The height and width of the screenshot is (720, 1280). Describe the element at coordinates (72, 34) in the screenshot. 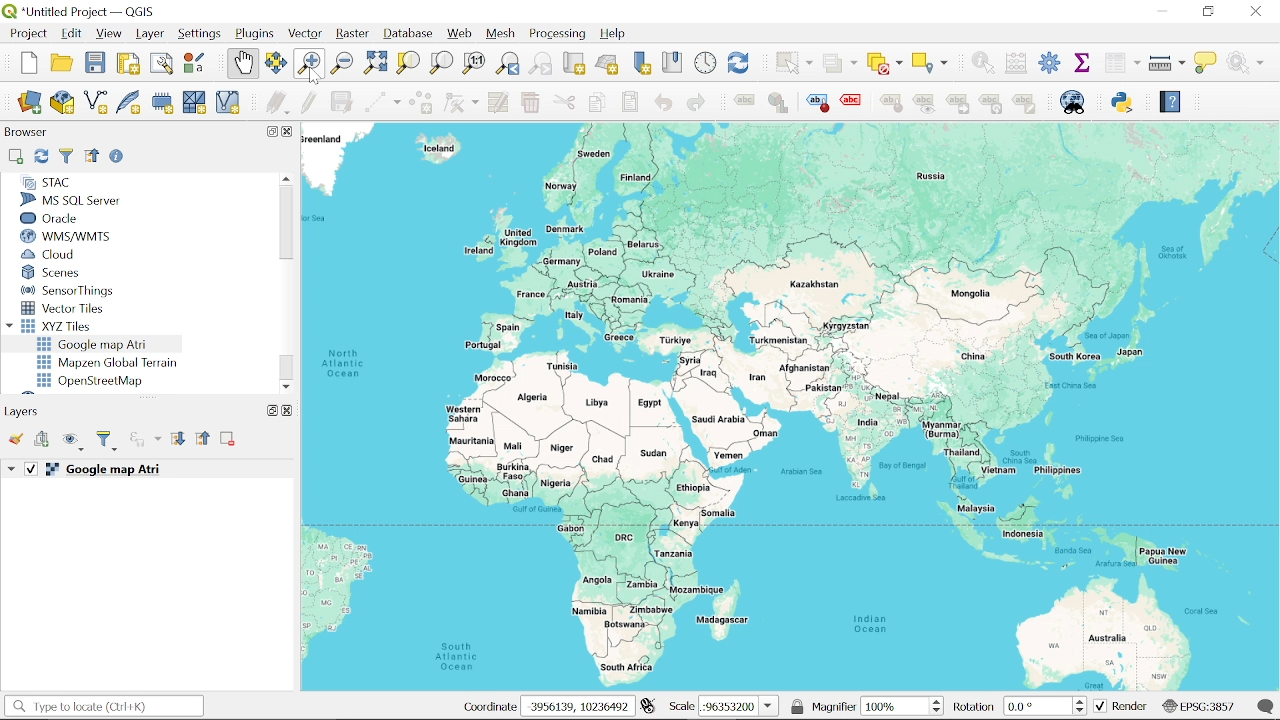

I see `Edit` at that location.